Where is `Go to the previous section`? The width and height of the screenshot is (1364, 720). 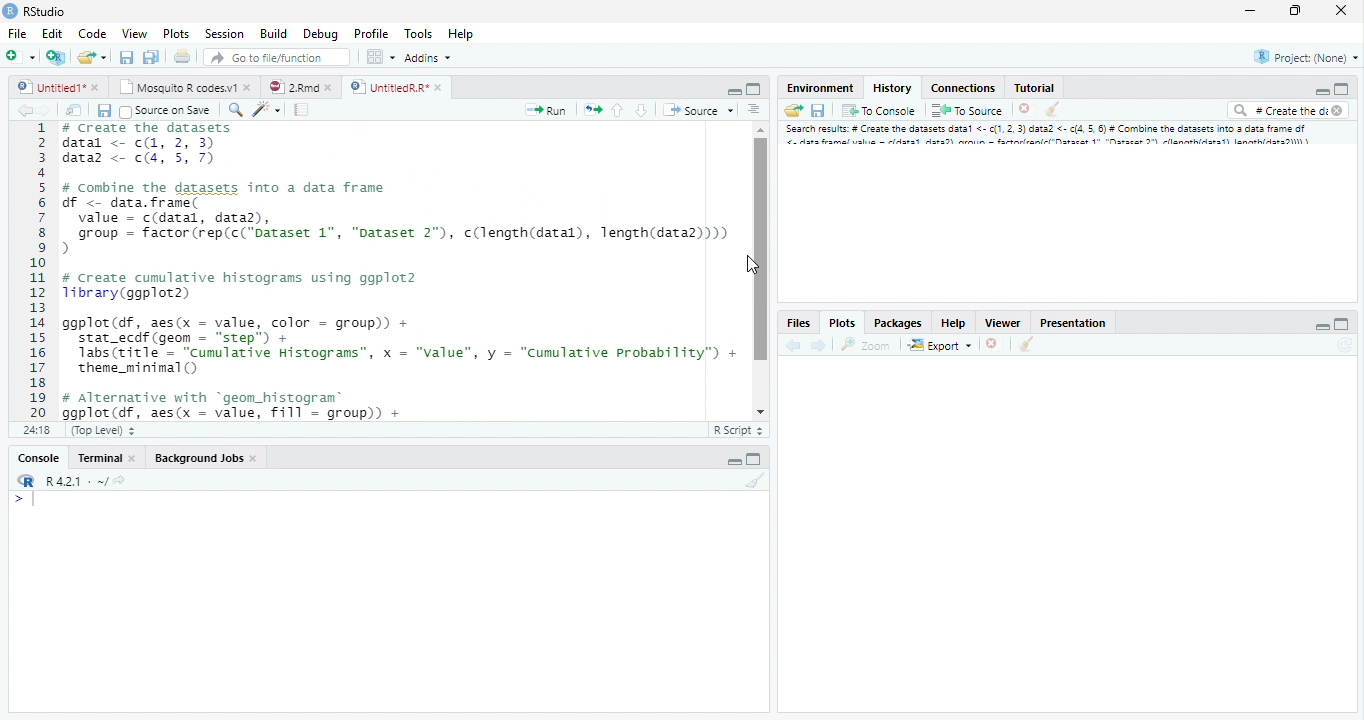
Go to the previous section is located at coordinates (619, 113).